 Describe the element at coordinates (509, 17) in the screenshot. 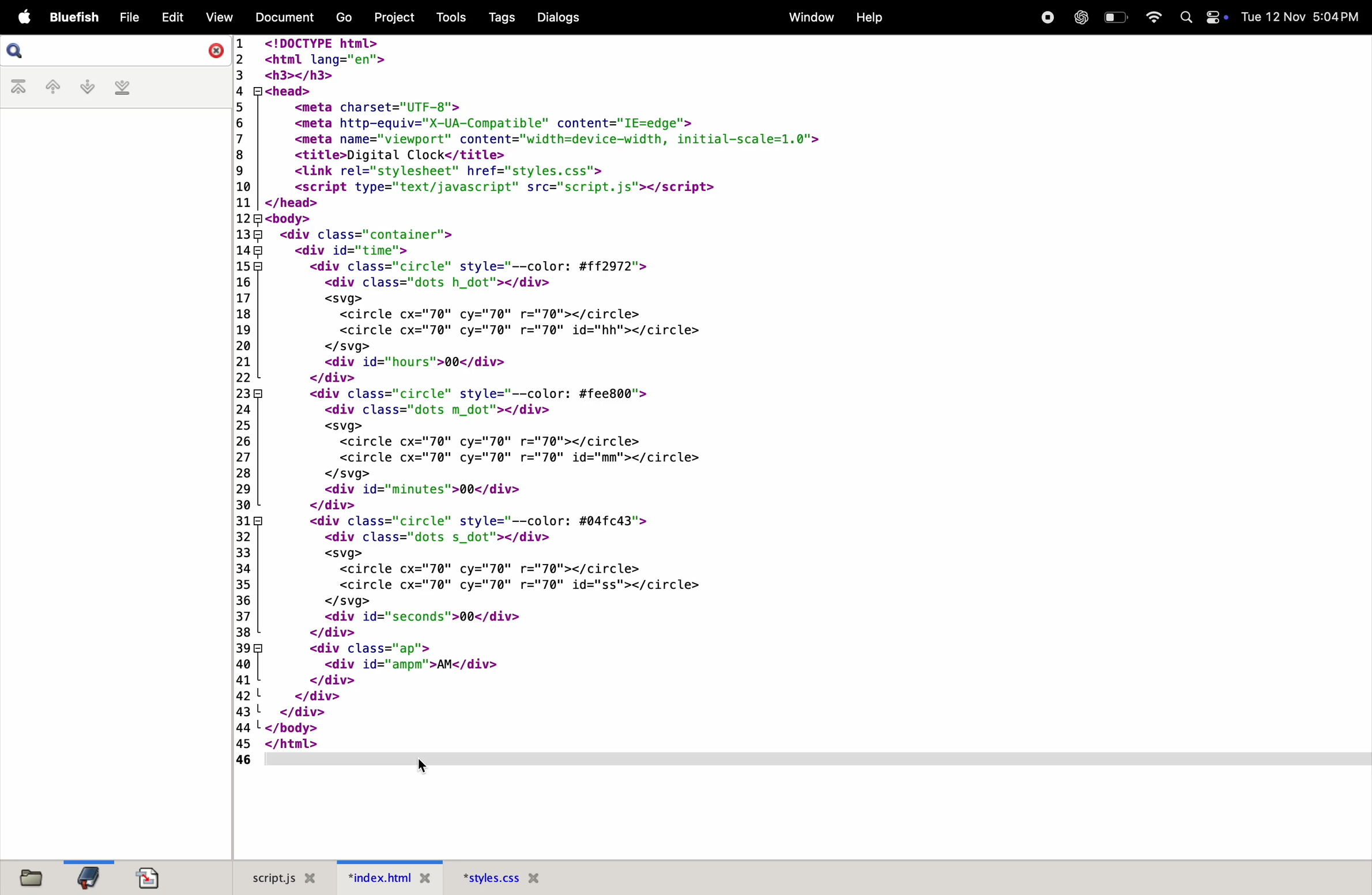

I see `tags` at that location.